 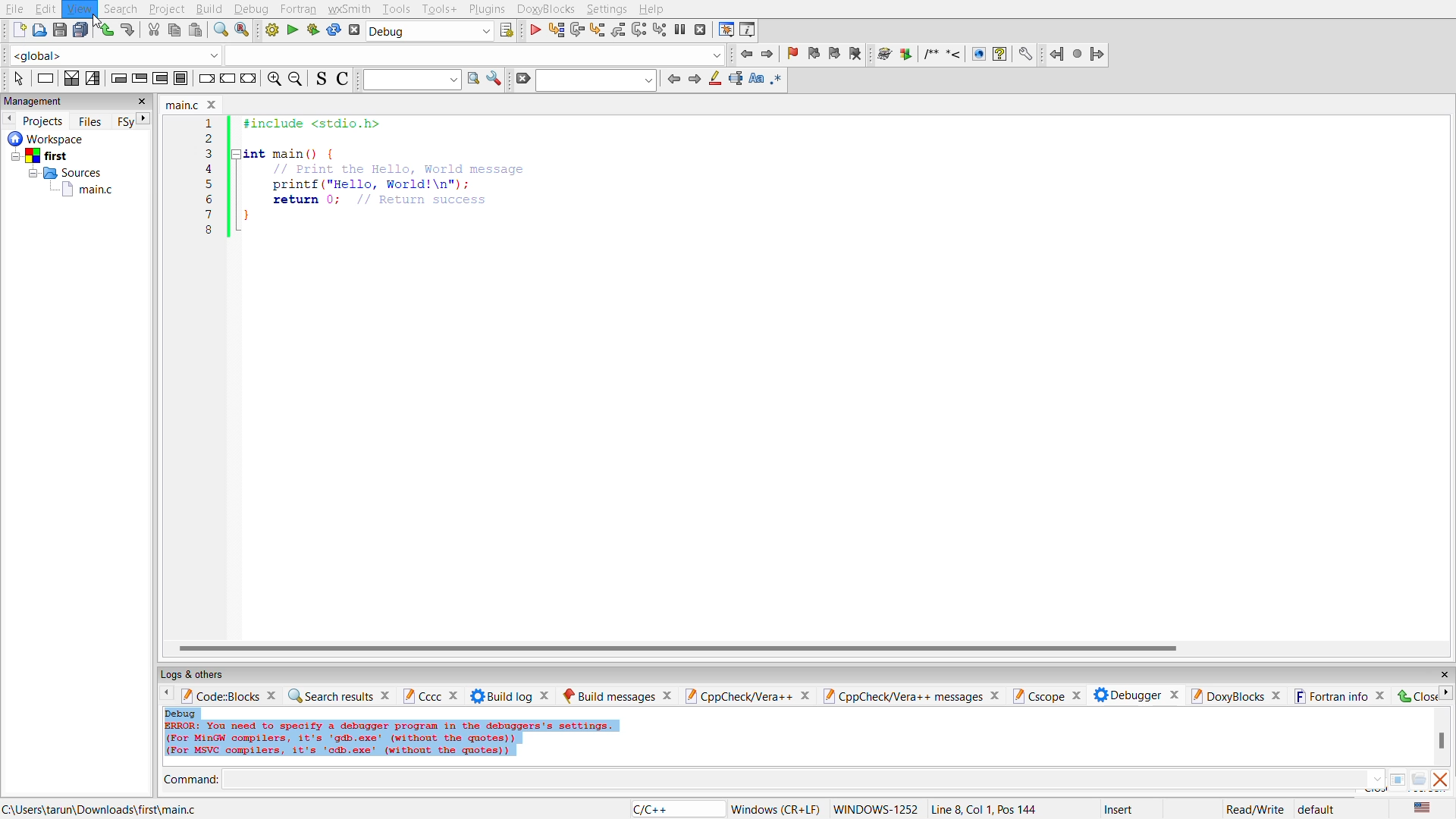 I want to click on edit, so click(x=46, y=9).